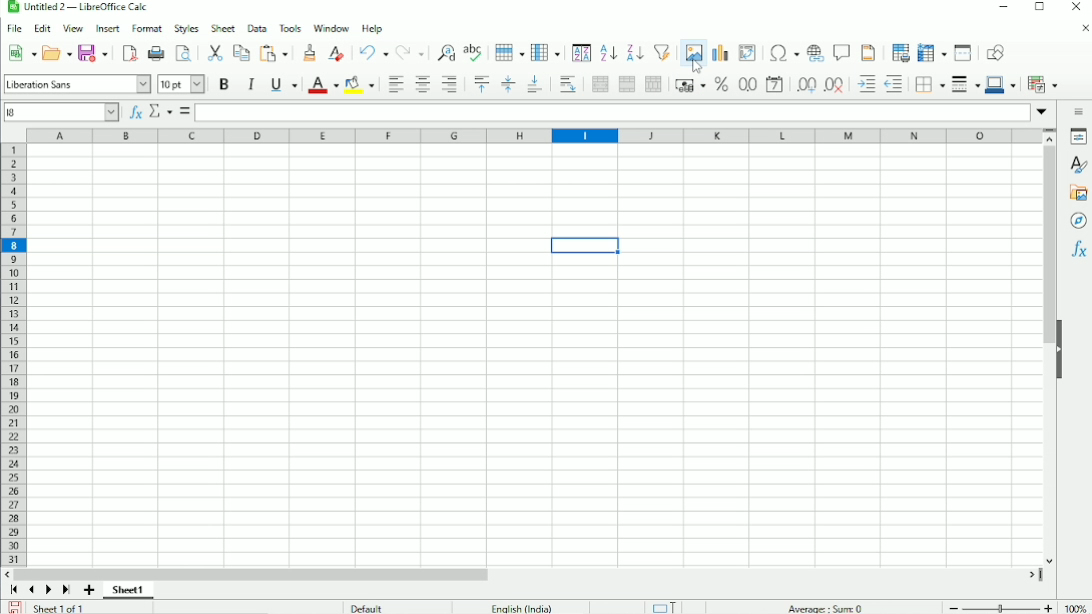 This screenshot has height=614, width=1092. Describe the element at coordinates (653, 84) in the screenshot. I see `Unmerge cells` at that location.